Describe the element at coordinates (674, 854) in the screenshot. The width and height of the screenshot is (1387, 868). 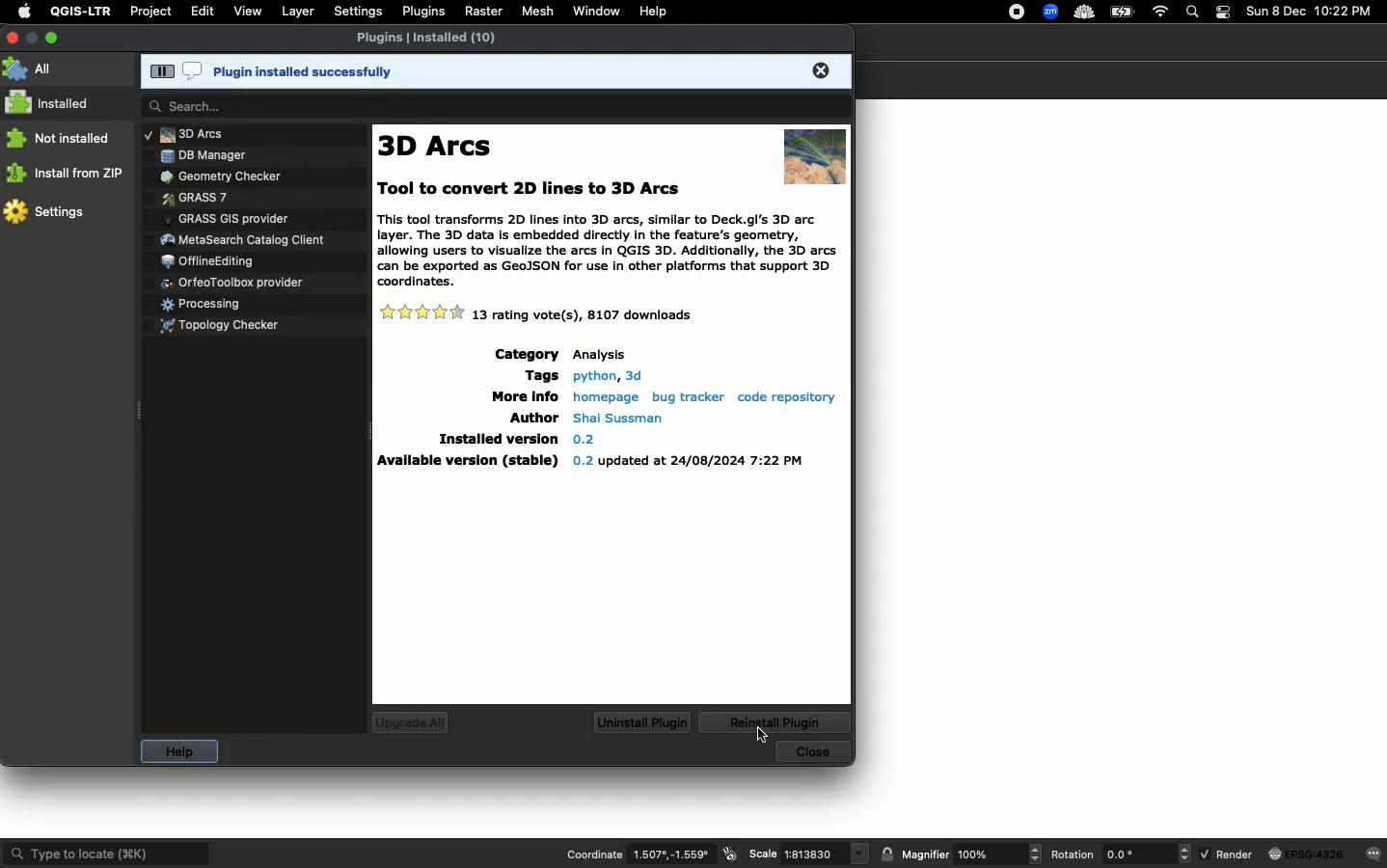
I see `Coordinates` at that location.